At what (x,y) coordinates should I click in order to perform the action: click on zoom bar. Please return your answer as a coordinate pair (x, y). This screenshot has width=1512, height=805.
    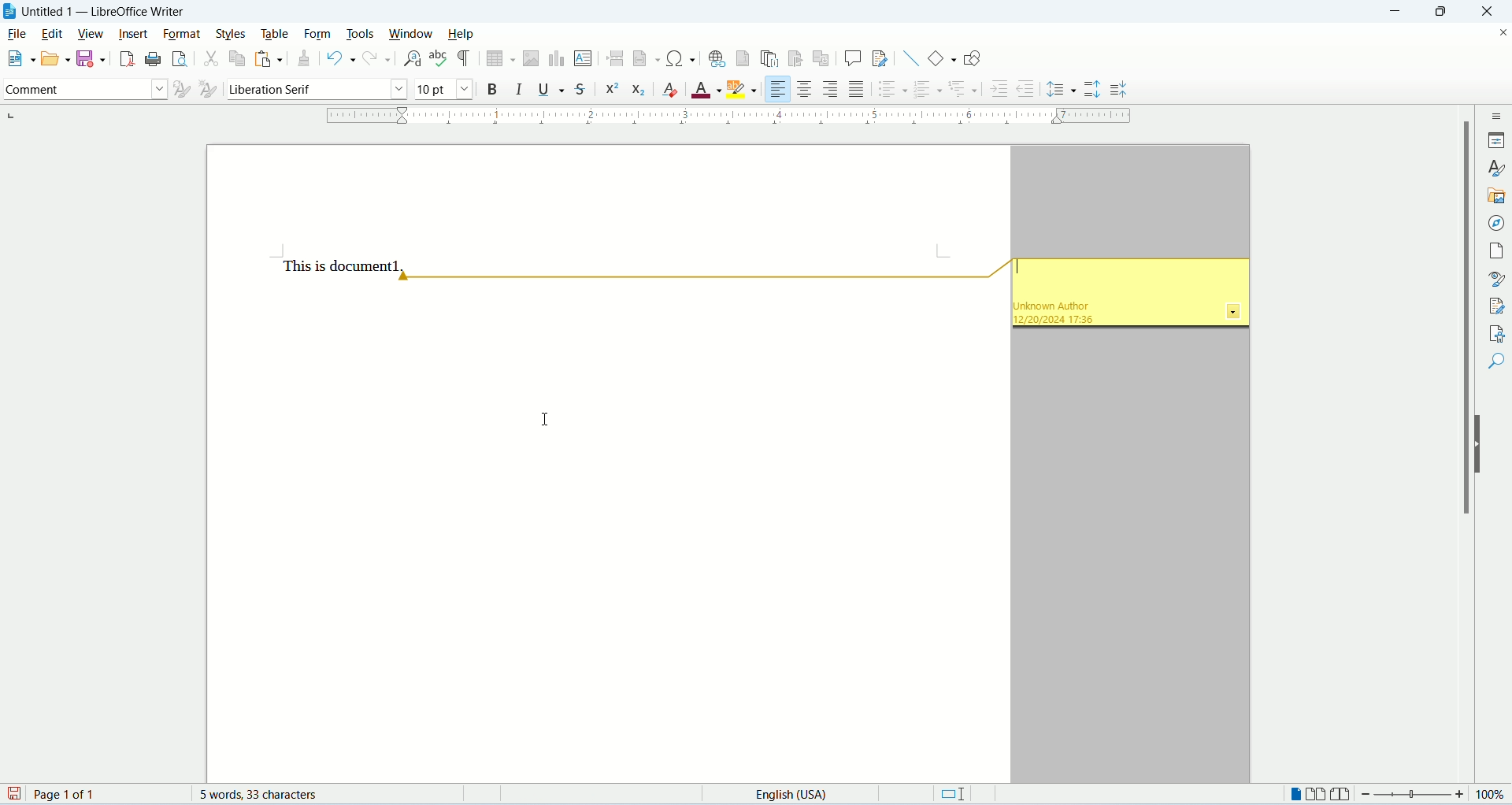
    Looking at the image, I should click on (1414, 793).